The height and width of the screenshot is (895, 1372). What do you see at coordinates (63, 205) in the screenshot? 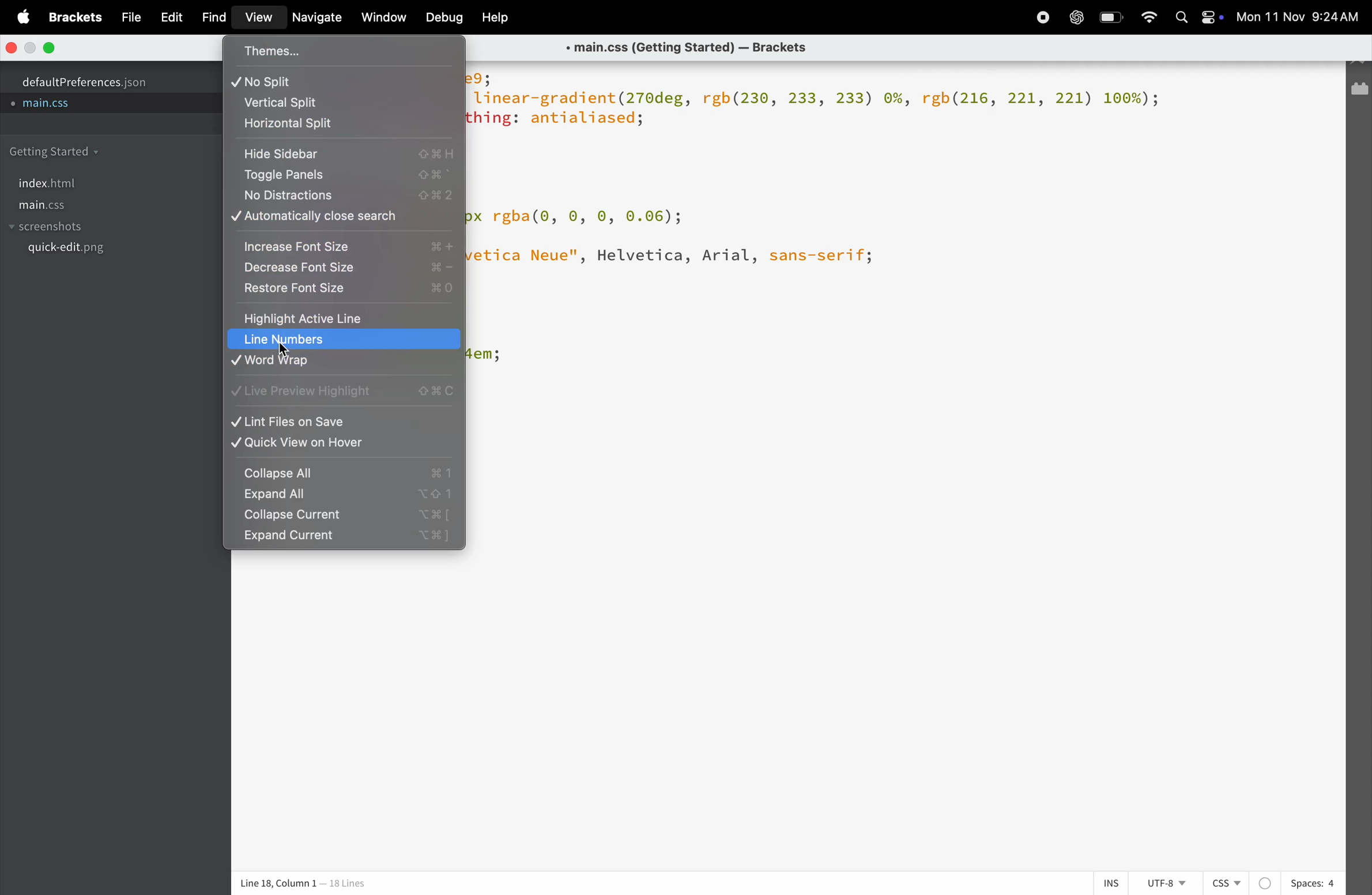
I see `main.css` at bounding box center [63, 205].